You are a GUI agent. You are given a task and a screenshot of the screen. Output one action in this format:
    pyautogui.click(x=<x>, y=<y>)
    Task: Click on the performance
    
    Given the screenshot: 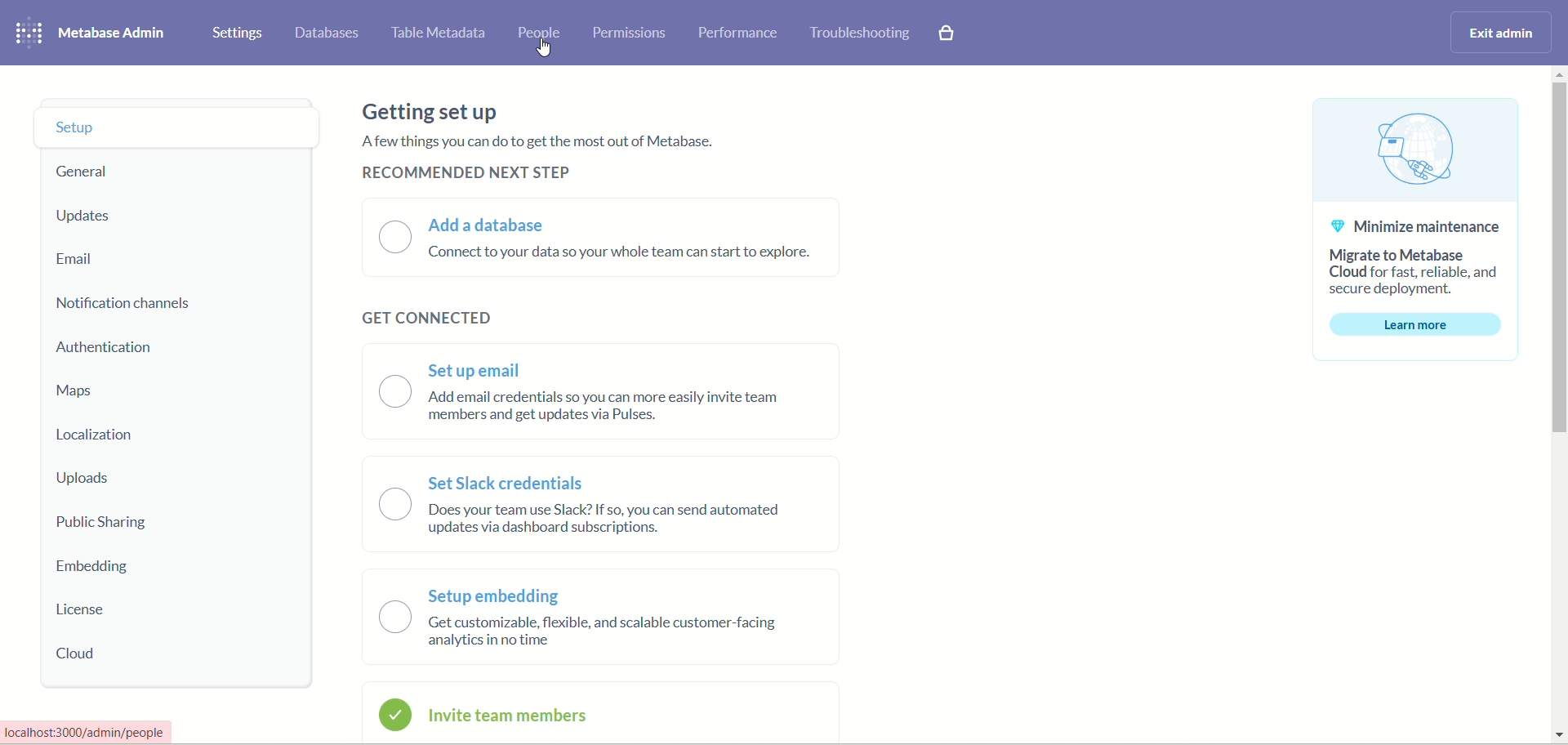 What is the action you would take?
    pyautogui.click(x=742, y=33)
    